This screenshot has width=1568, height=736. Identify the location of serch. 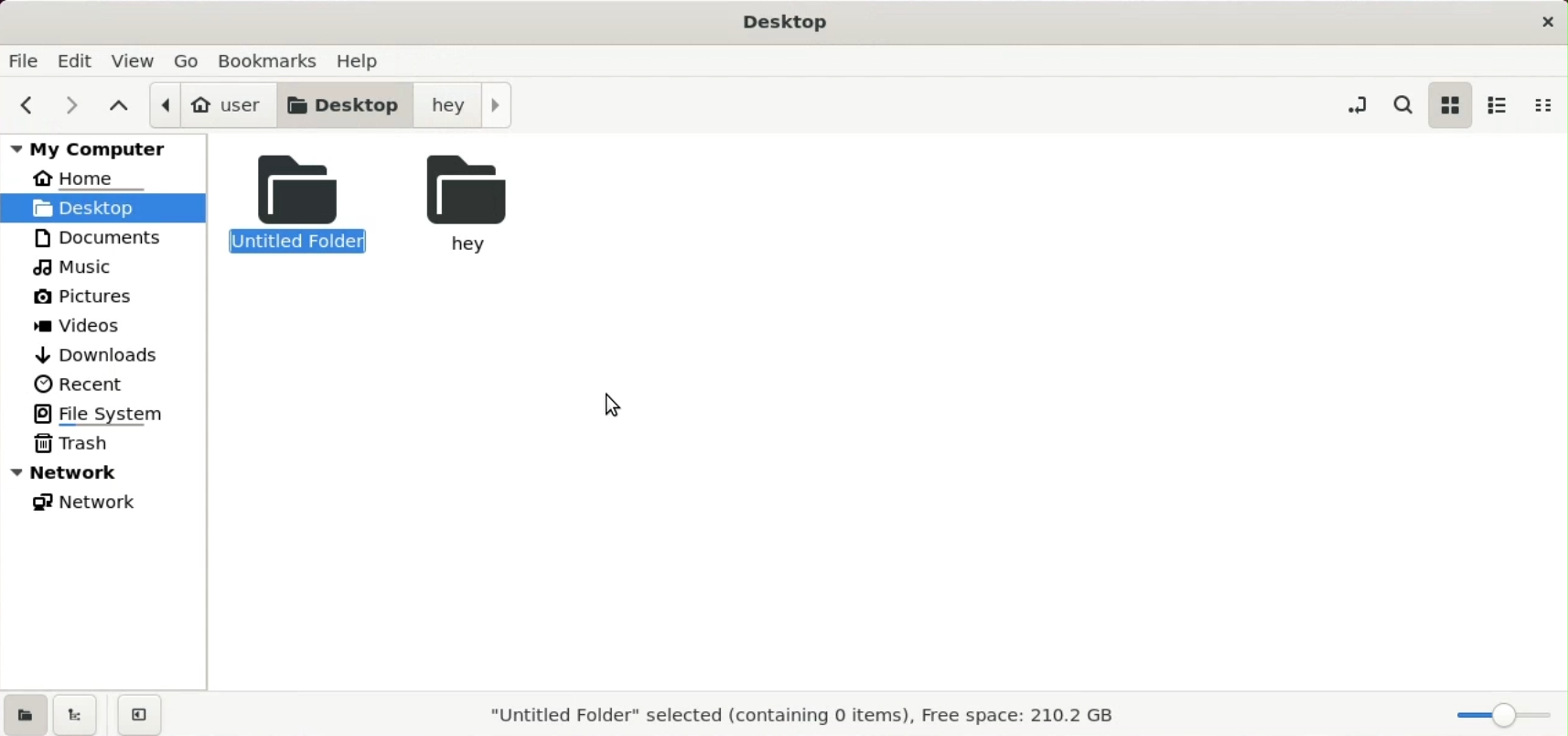
(1405, 104).